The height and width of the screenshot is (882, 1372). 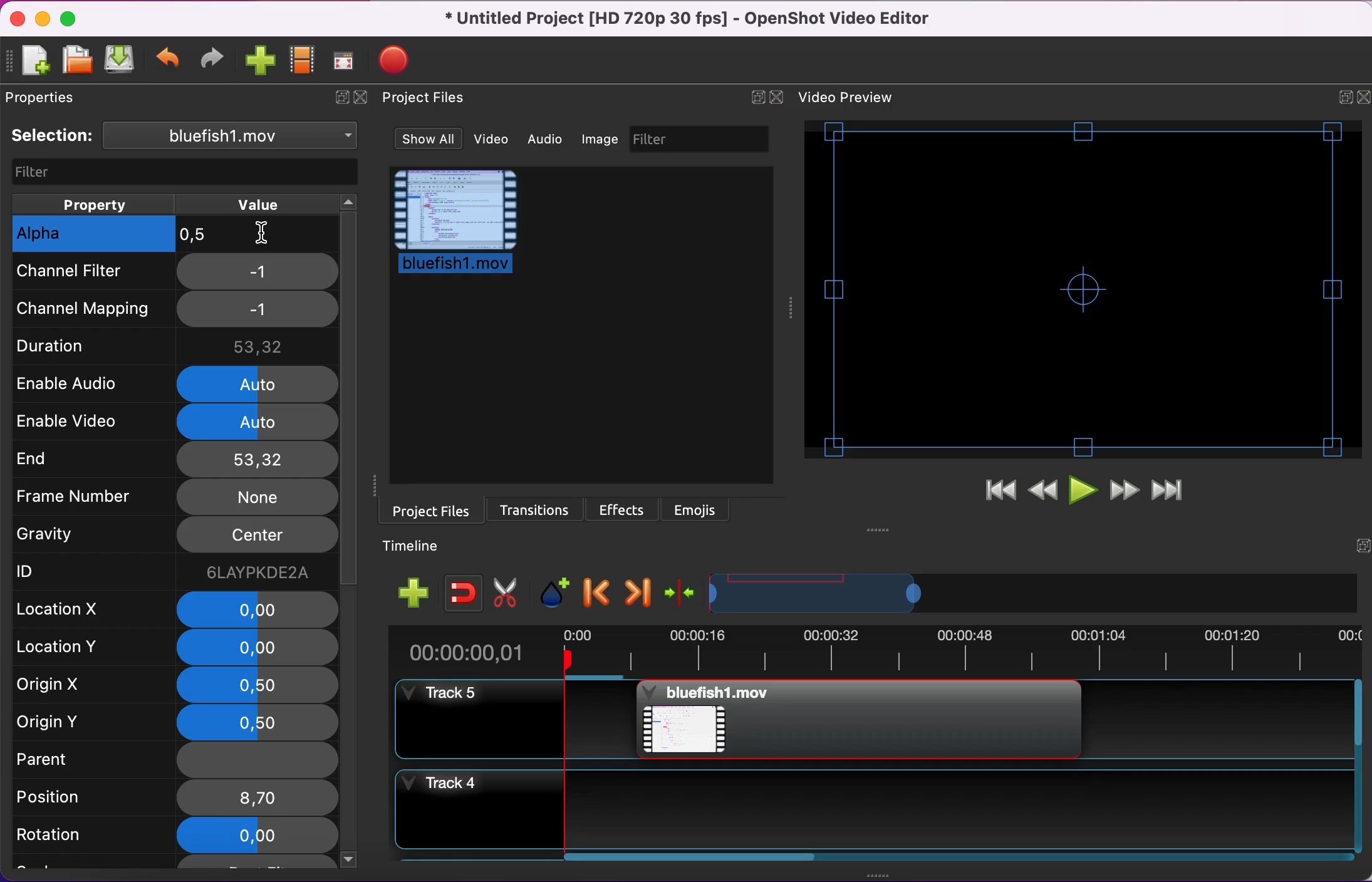 I want to click on cut, so click(x=509, y=591).